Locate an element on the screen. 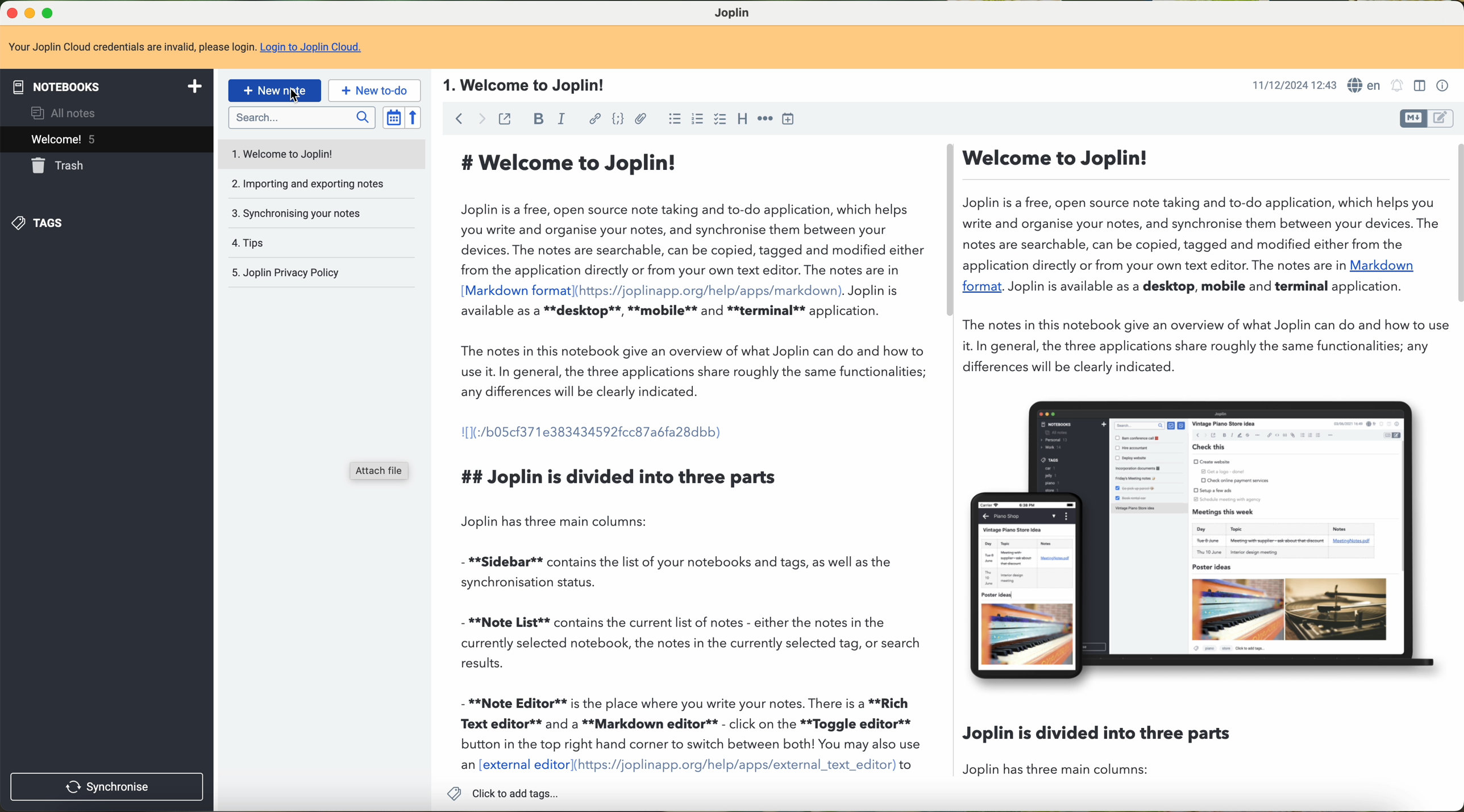 The width and height of the screenshot is (1464, 812). tips is located at coordinates (247, 243).